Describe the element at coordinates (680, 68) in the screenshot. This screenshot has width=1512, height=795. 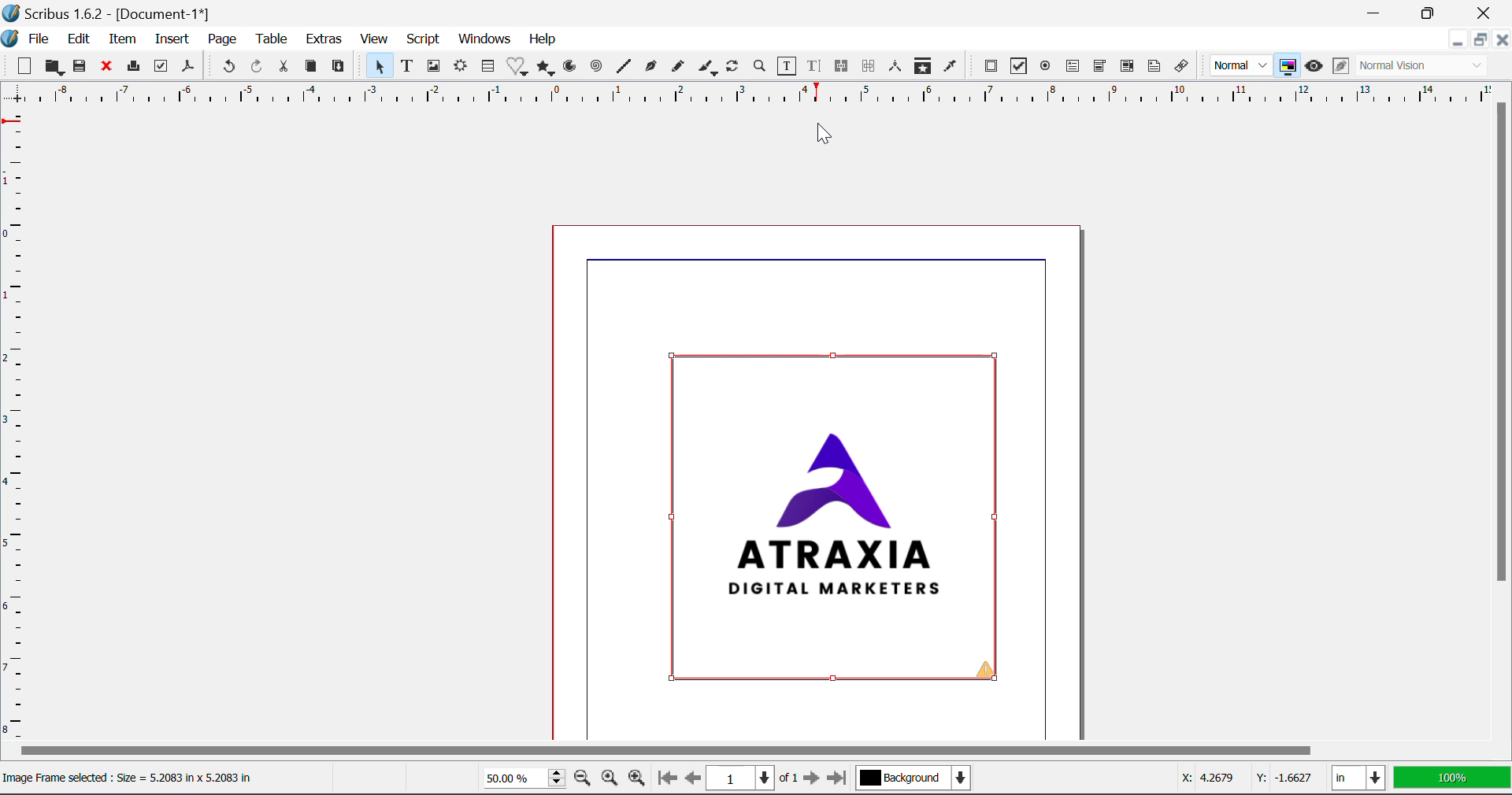
I see `Freehand Line` at that location.